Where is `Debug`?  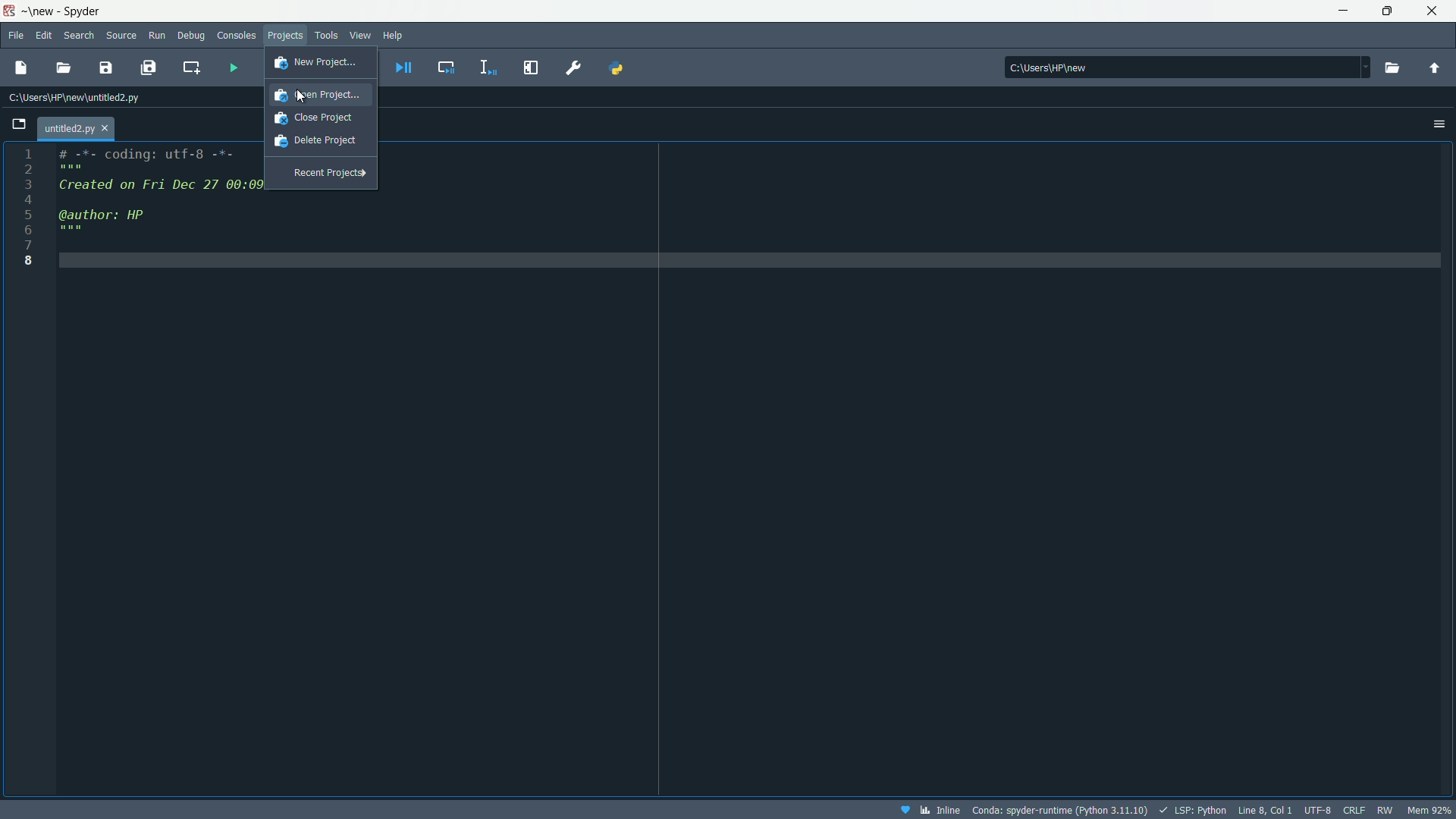
Debug is located at coordinates (191, 36).